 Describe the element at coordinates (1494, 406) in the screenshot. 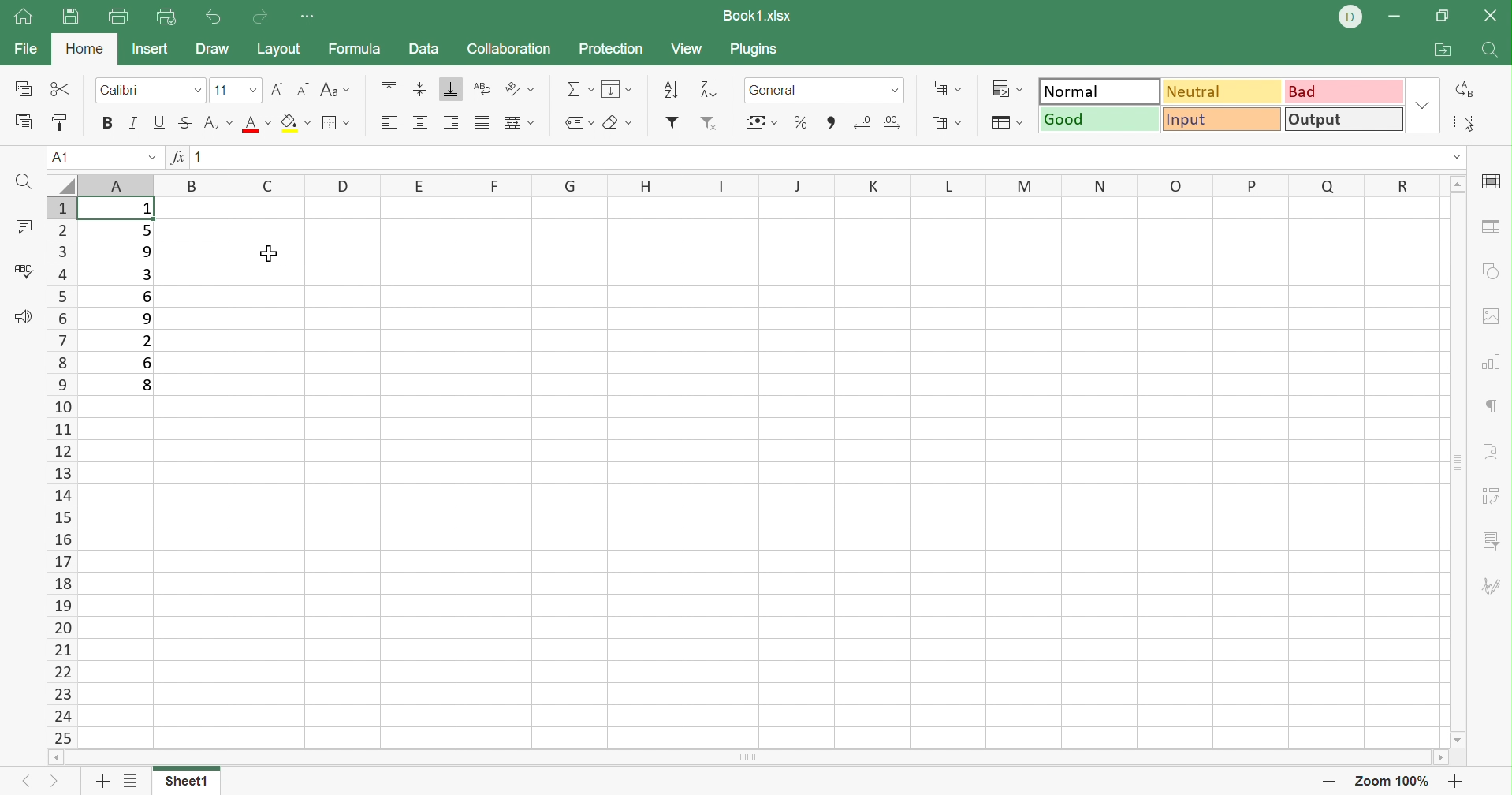

I see `Paragraph settings` at that location.